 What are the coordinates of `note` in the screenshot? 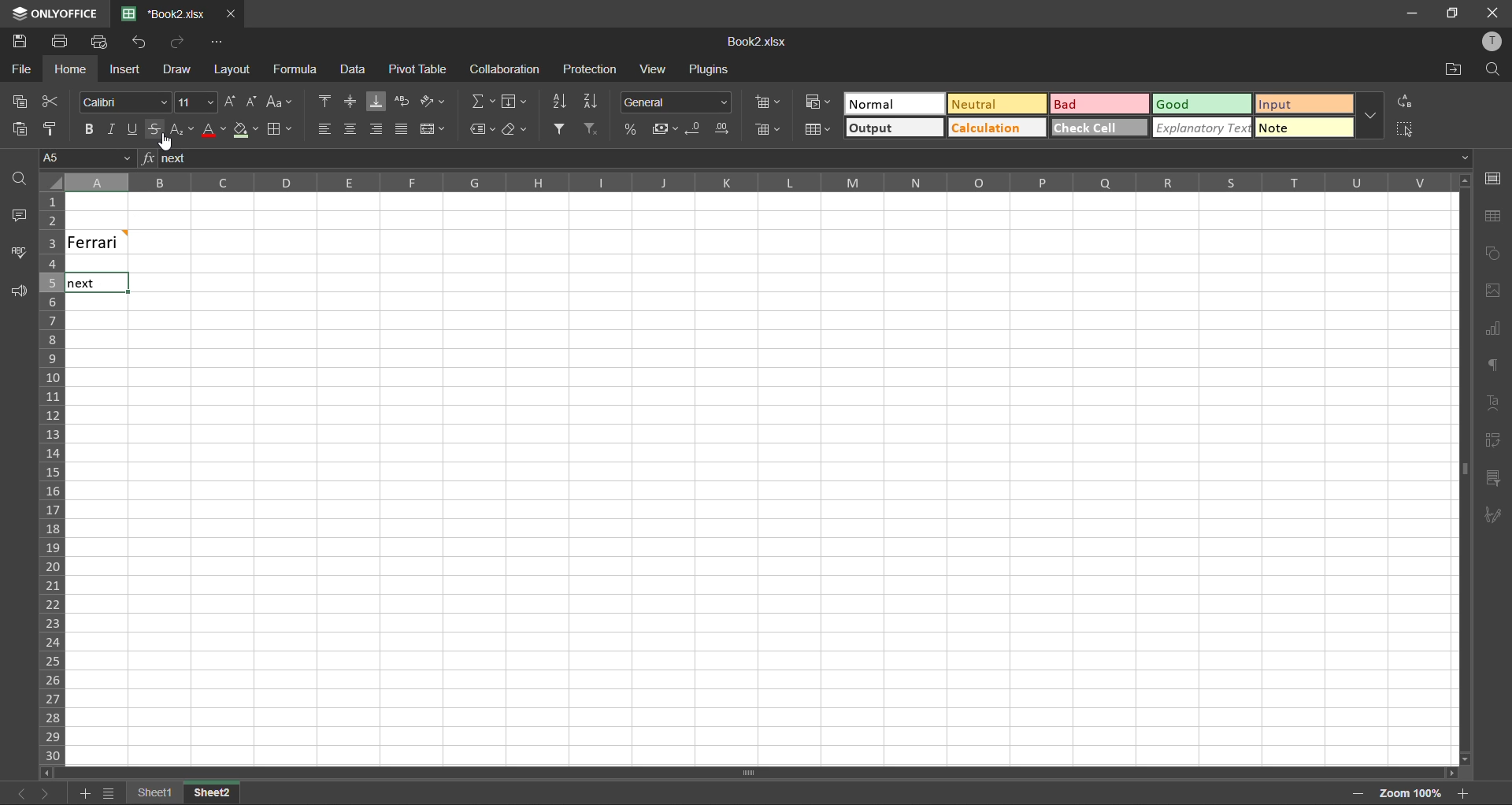 It's located at (1304, 126).